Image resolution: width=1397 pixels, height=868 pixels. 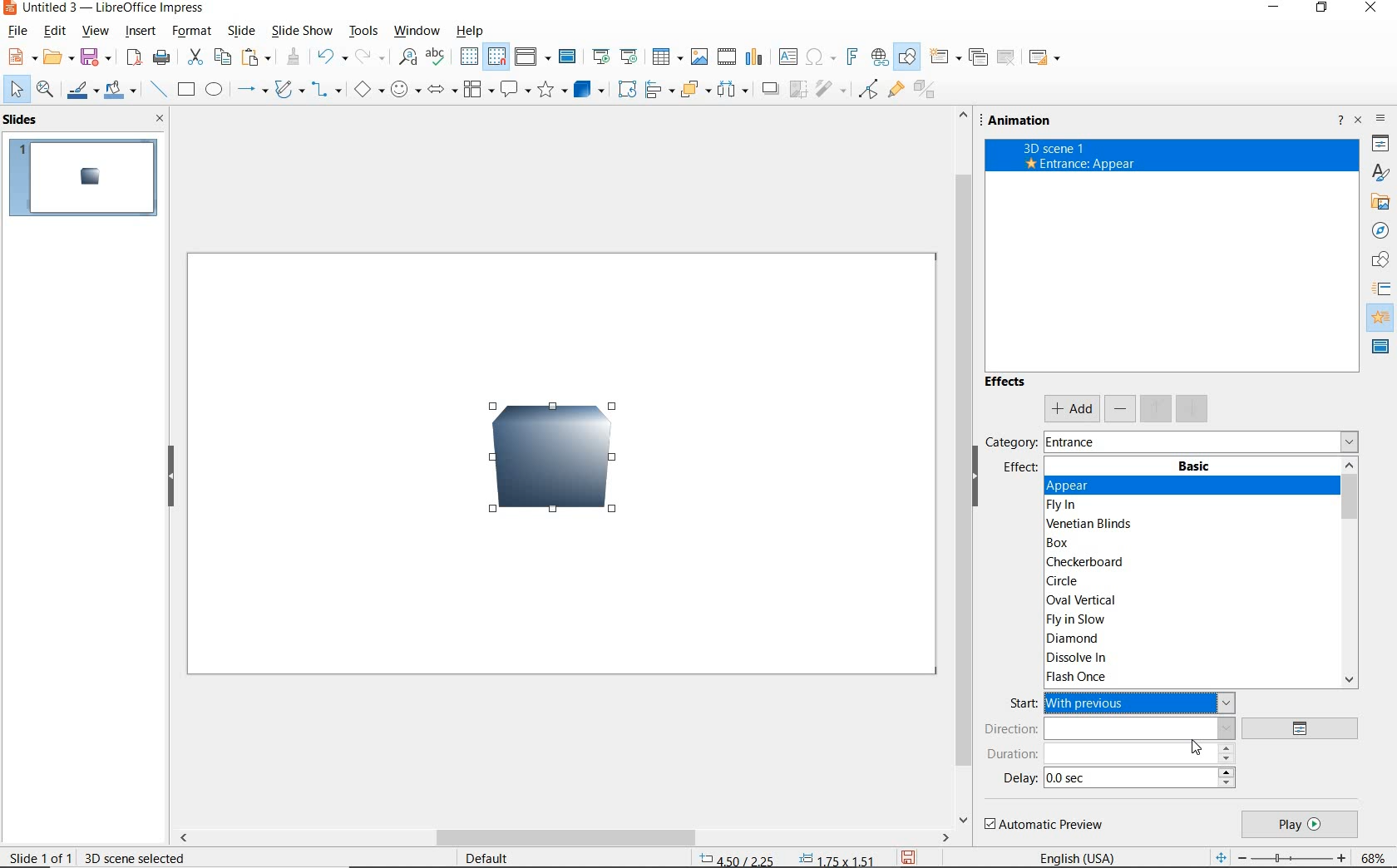 What do you see at coordinates (851, 57) in the screenshot?
I see `insert fontwork text` at bounding box center [851, 57].